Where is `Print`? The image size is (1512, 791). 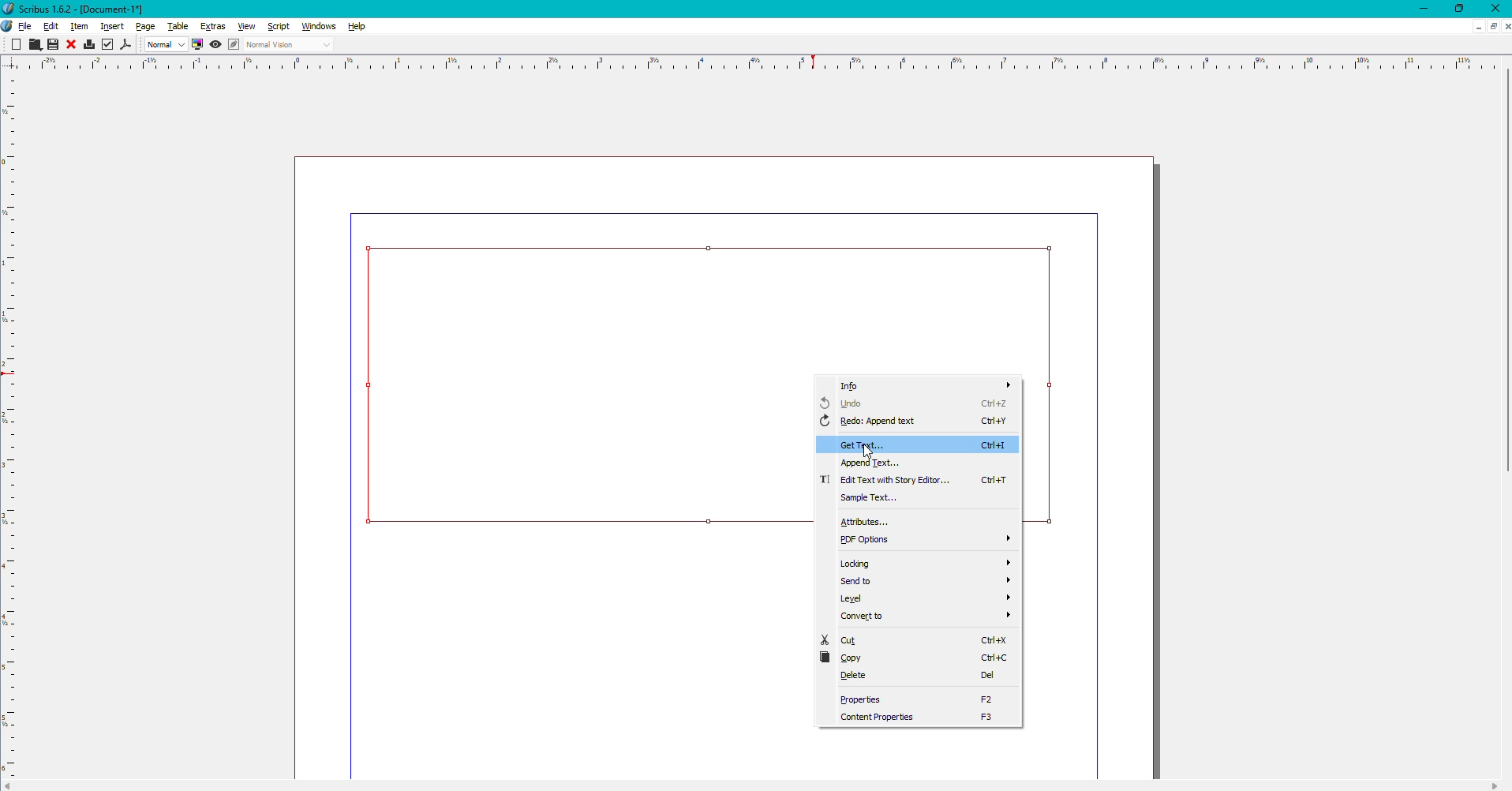 Print is located at coordinates (87, 44).